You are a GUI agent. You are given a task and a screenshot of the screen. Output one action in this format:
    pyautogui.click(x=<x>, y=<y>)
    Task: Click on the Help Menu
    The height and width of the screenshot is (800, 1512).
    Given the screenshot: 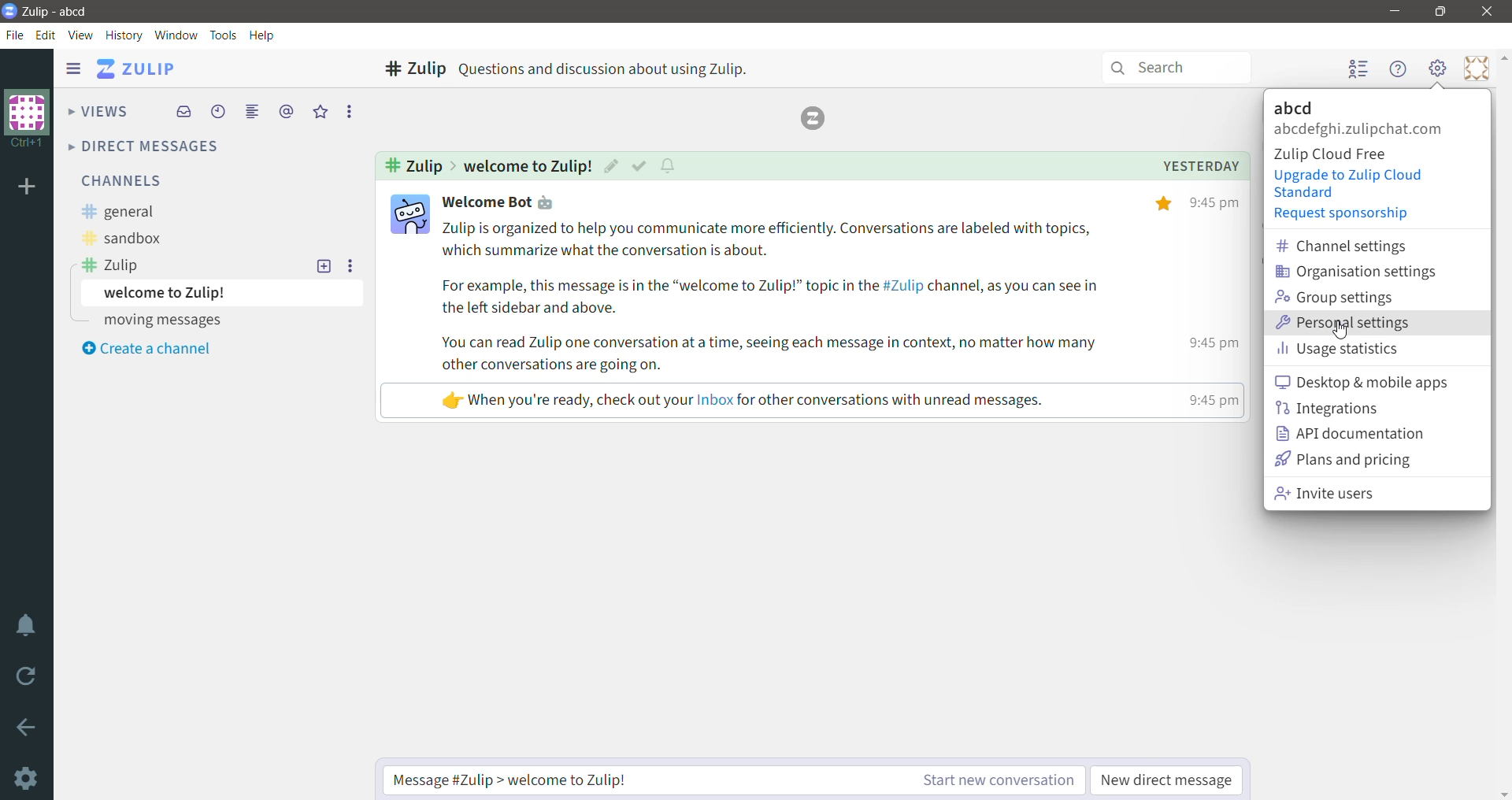 What is the action you would take?
    pyautogui.click(x=1399, y=69)
    